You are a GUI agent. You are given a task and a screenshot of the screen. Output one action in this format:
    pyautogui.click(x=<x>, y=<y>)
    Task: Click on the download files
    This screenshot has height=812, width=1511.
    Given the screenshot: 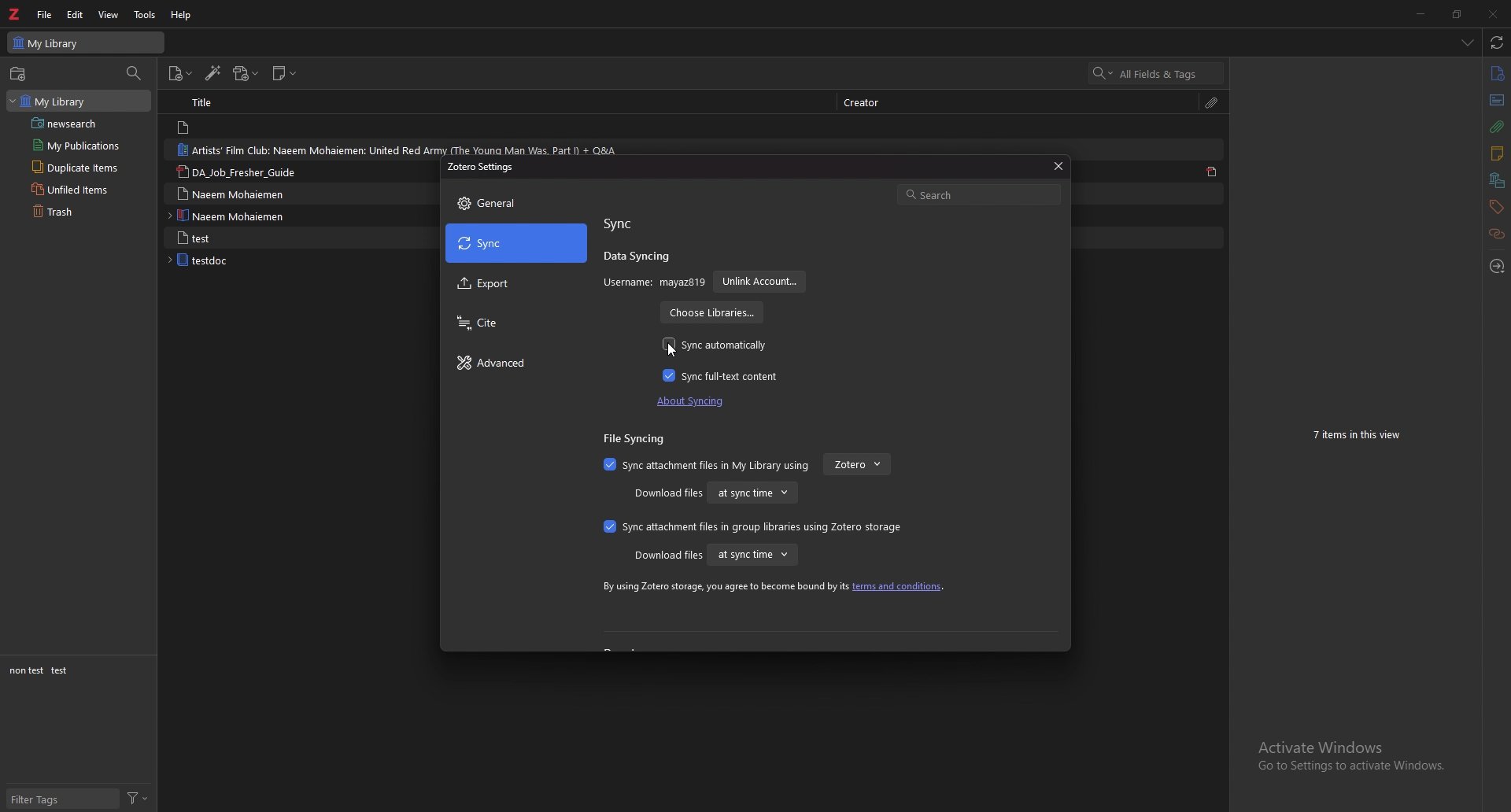 What is the action you would take?
    pyautogui.click(x=667, y=494)
    